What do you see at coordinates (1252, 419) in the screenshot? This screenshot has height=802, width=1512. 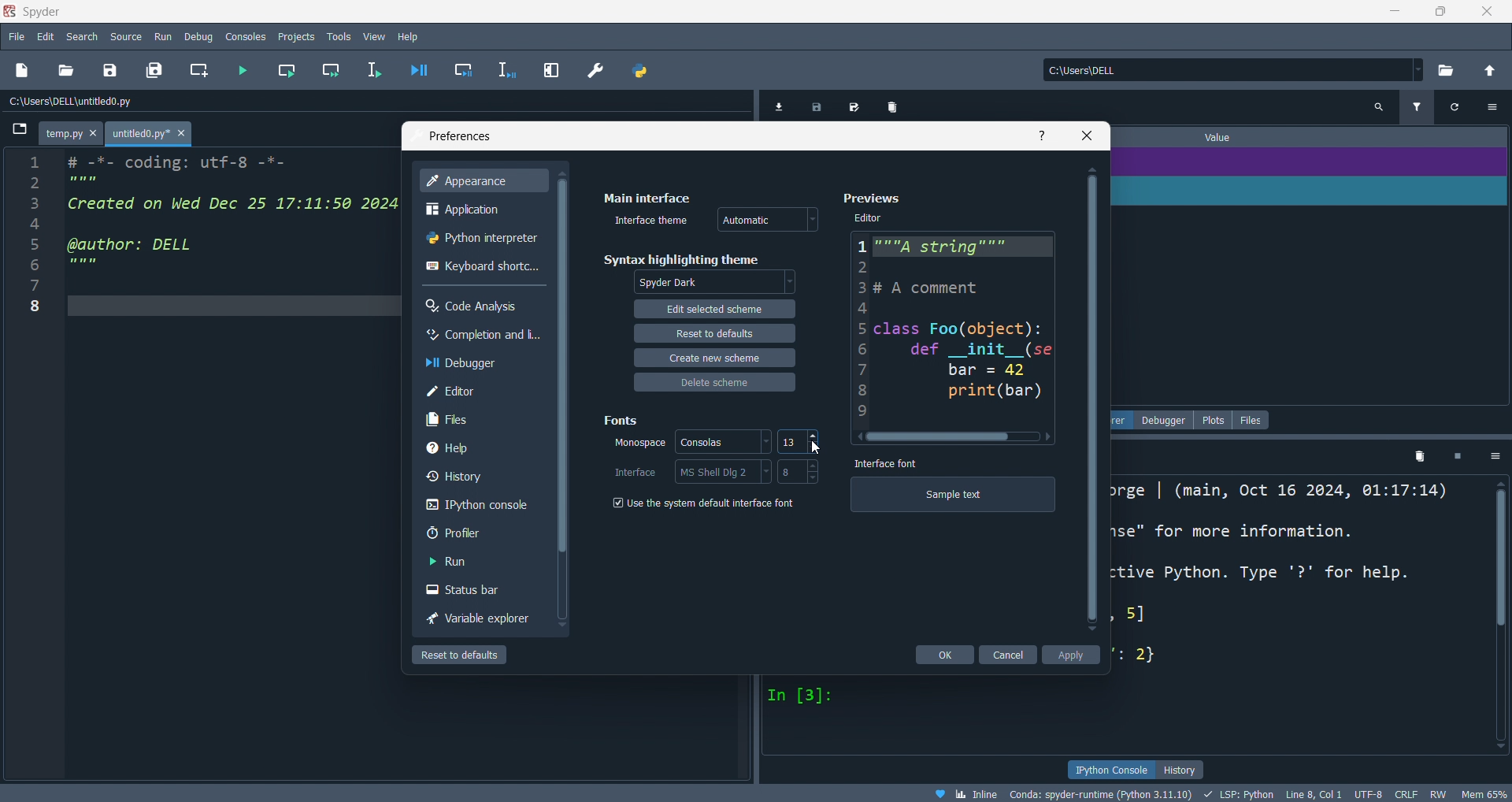 I see `files` at bounding box center [1252, 419].